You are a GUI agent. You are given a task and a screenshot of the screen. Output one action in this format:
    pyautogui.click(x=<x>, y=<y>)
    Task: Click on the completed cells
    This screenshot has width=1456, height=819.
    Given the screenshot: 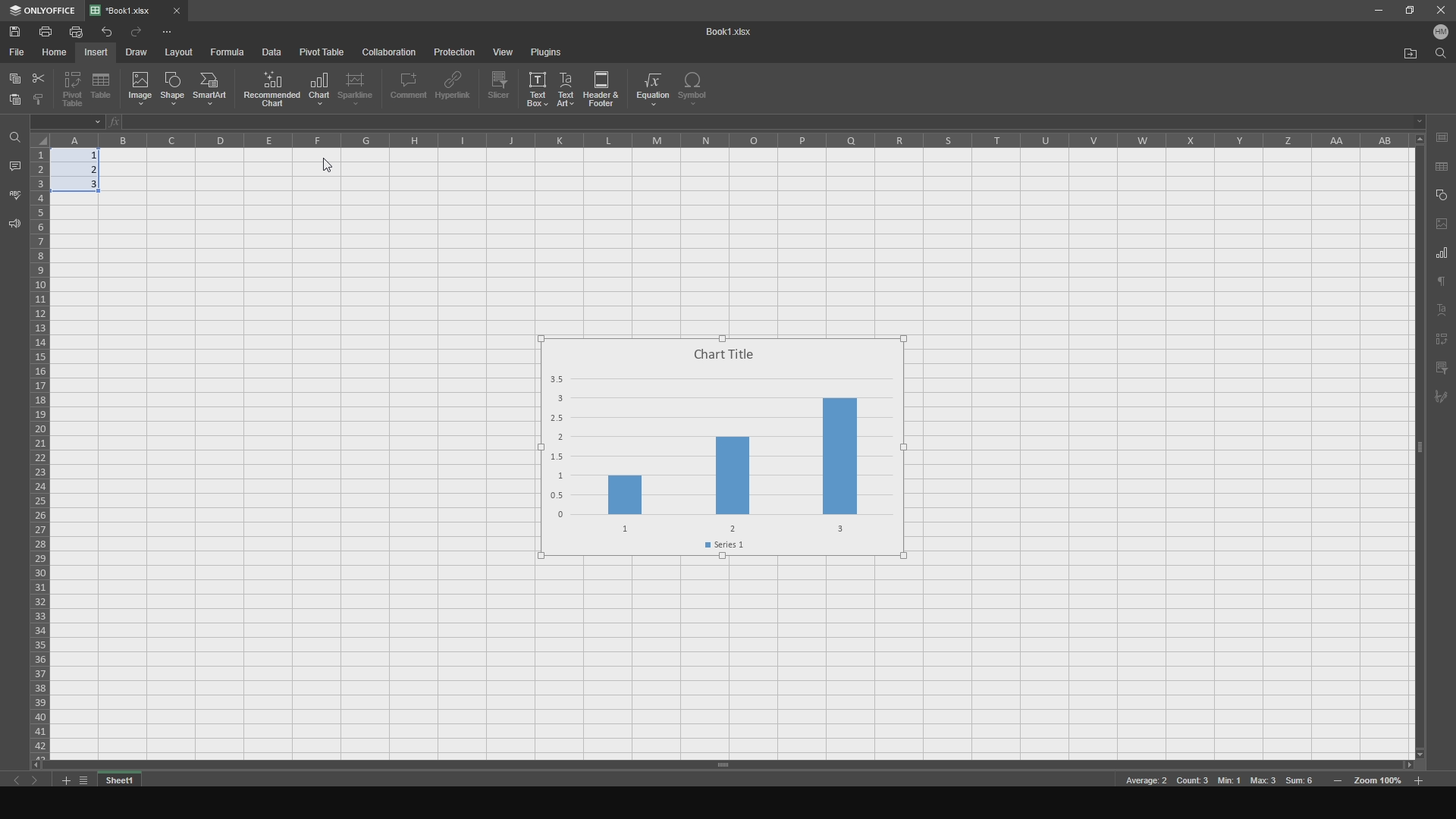 What is the action you would take?
    pyautogui.click(x=83, y=171)
    